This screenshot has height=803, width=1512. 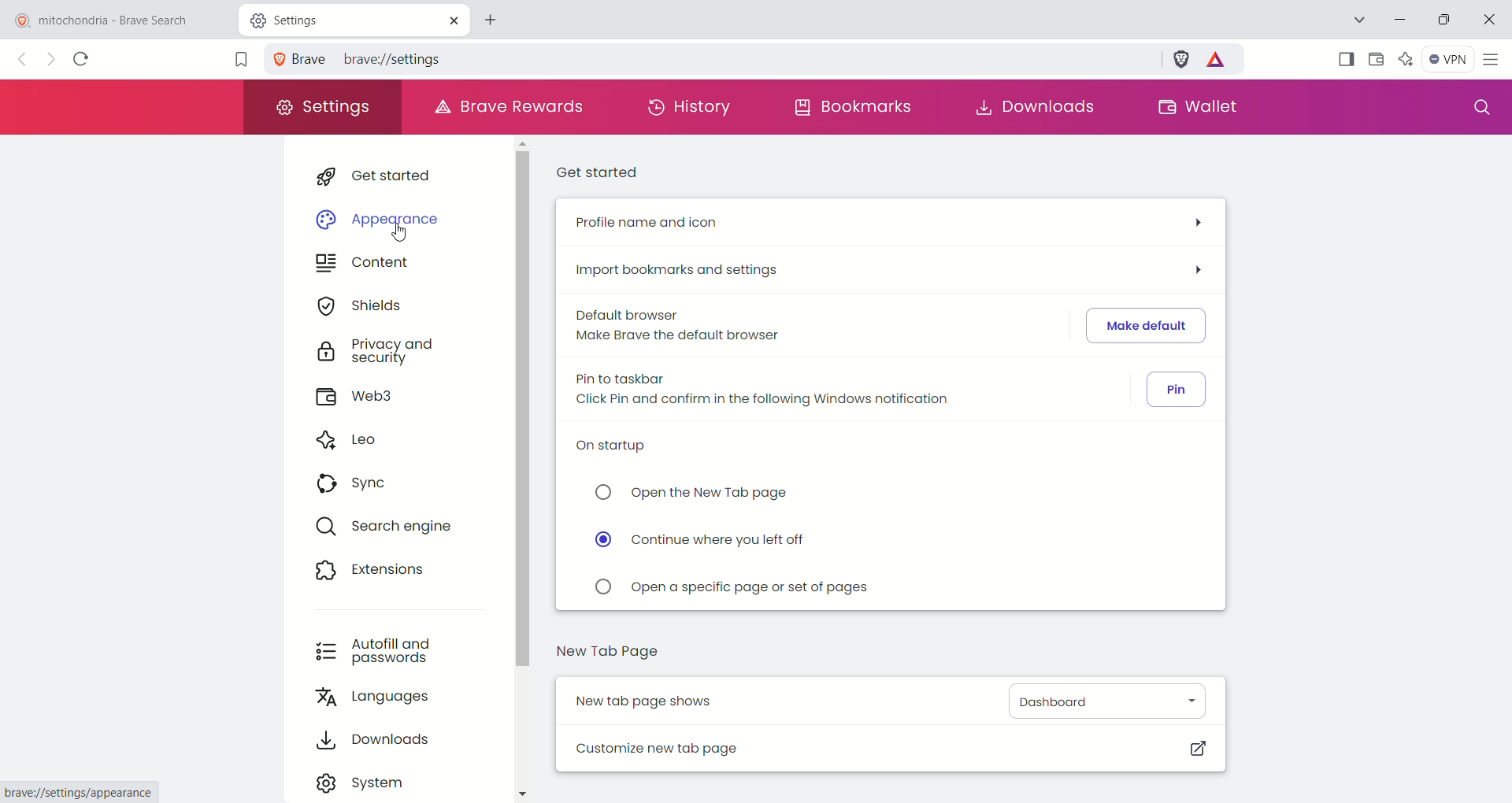 I want to click on search tab, so click(x=1357, y=19).